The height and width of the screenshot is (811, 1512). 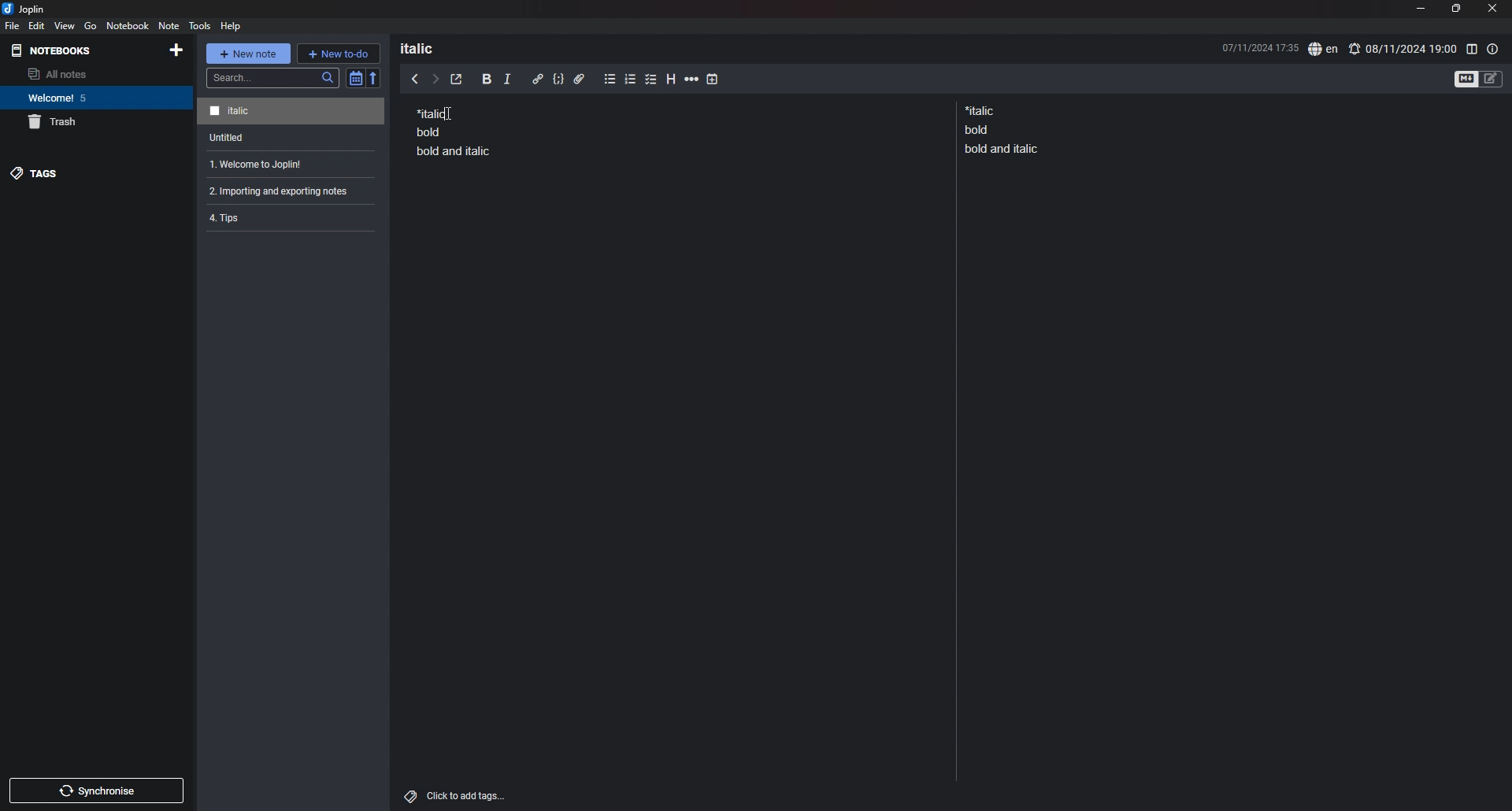 What do you see at coordinates (631, 81) in the screenshot?
I see `numbered list` at bounding box center [631, 81].